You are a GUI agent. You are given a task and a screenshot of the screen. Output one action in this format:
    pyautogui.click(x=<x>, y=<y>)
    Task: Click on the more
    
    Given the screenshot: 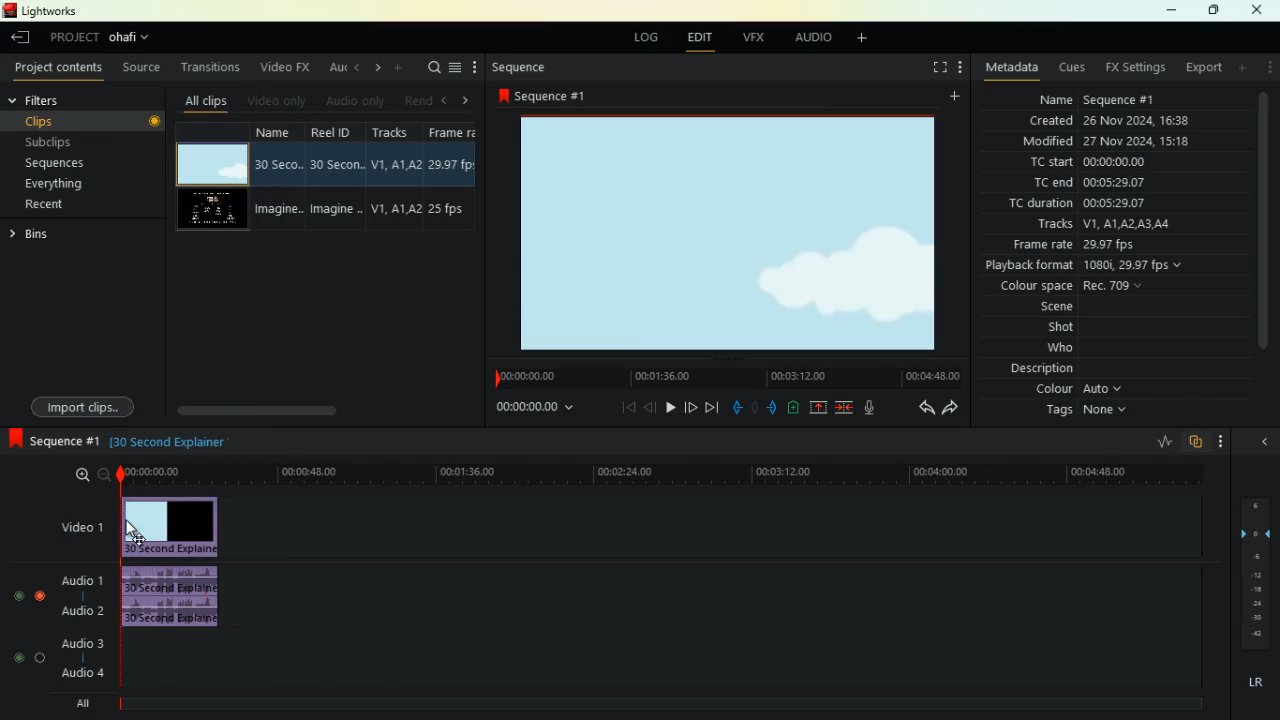 What is the action you would take?
    pyautogui.click(x=958, y=69)
    